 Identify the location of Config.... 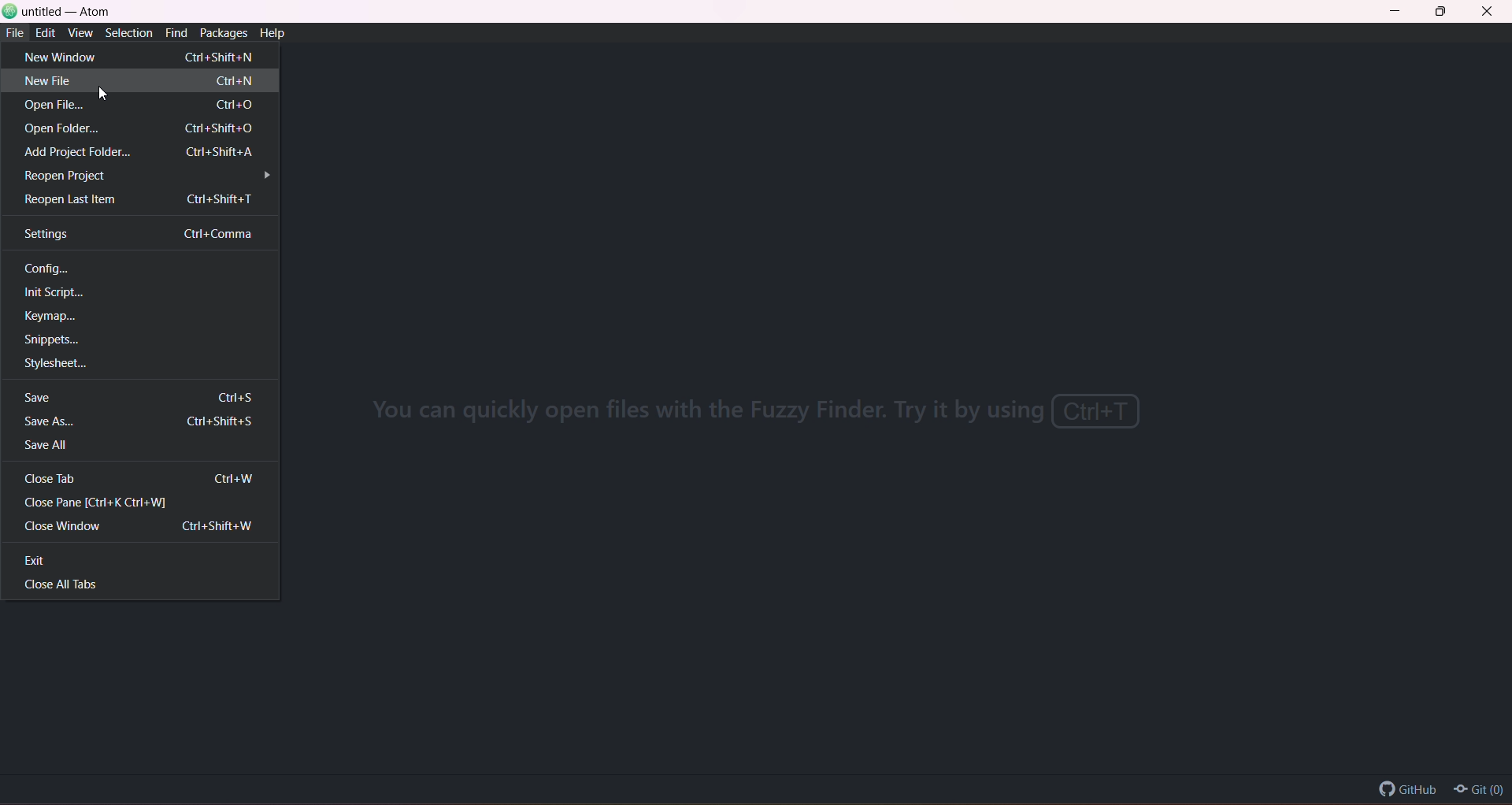
(52, 267).